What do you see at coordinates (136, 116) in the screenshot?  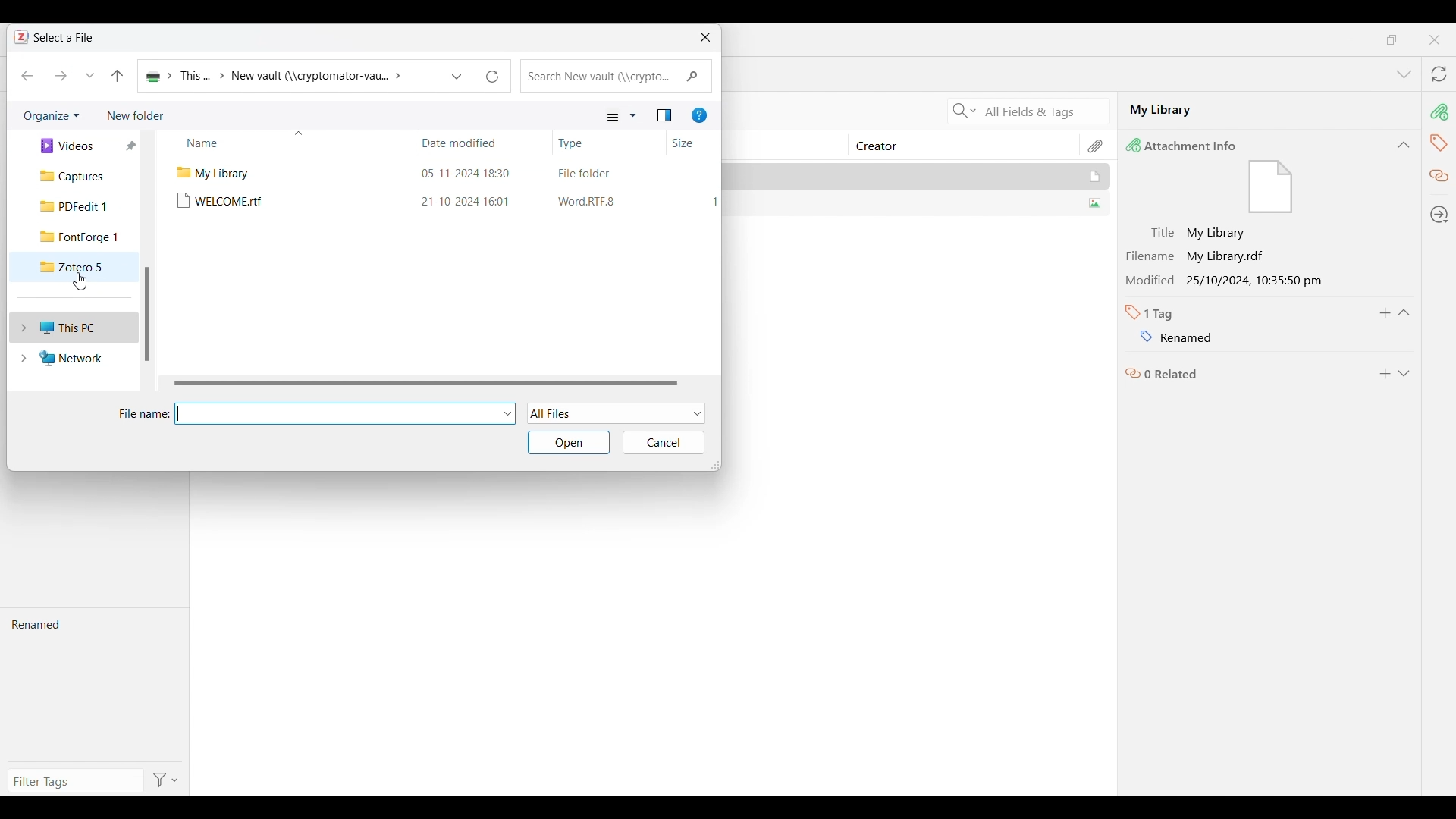 I see `Add new folder` at bounding box center [136, 116].